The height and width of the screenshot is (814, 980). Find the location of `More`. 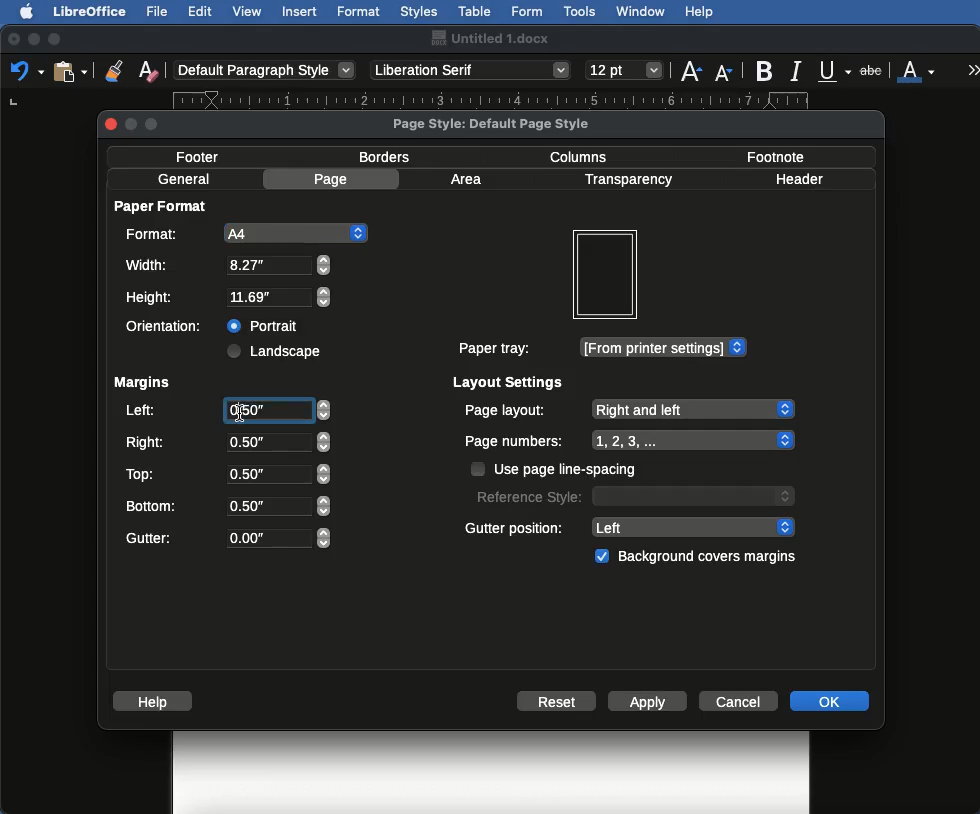

More is located at coordinates (974, 69).